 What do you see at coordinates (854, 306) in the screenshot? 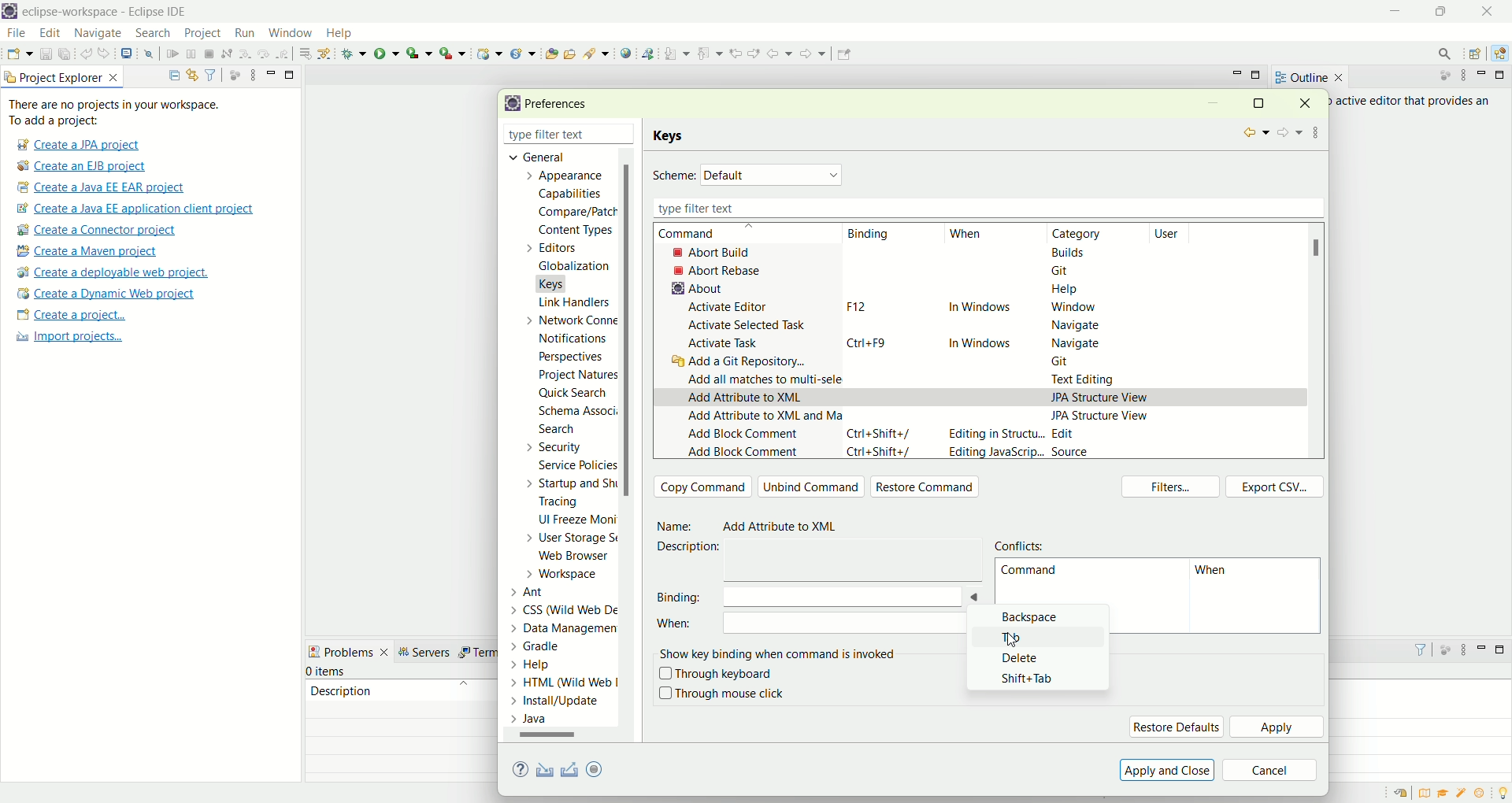
I see `F12` at bounding box center [854, 306].